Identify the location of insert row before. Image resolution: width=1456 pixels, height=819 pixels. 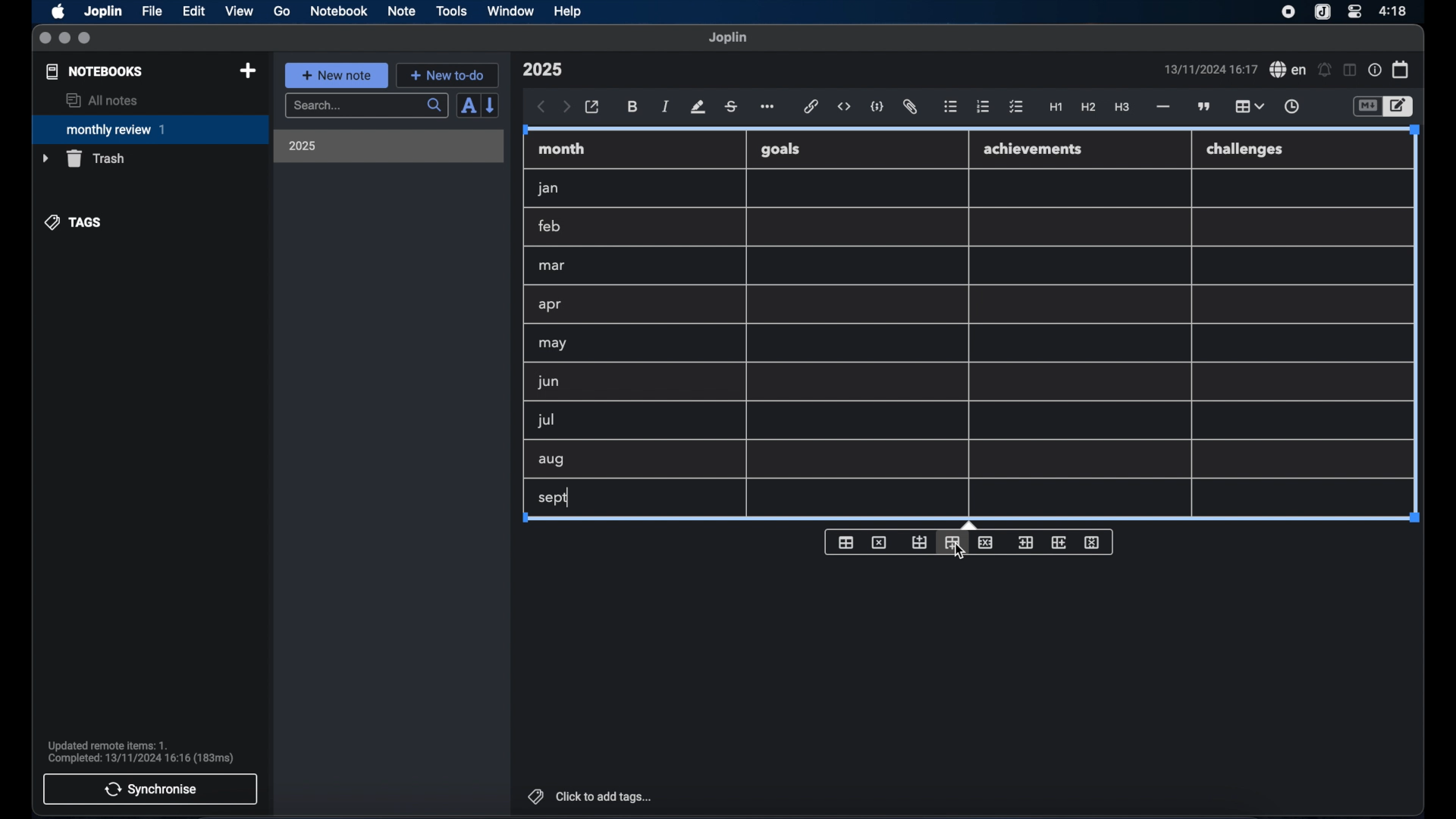
(920, 543).